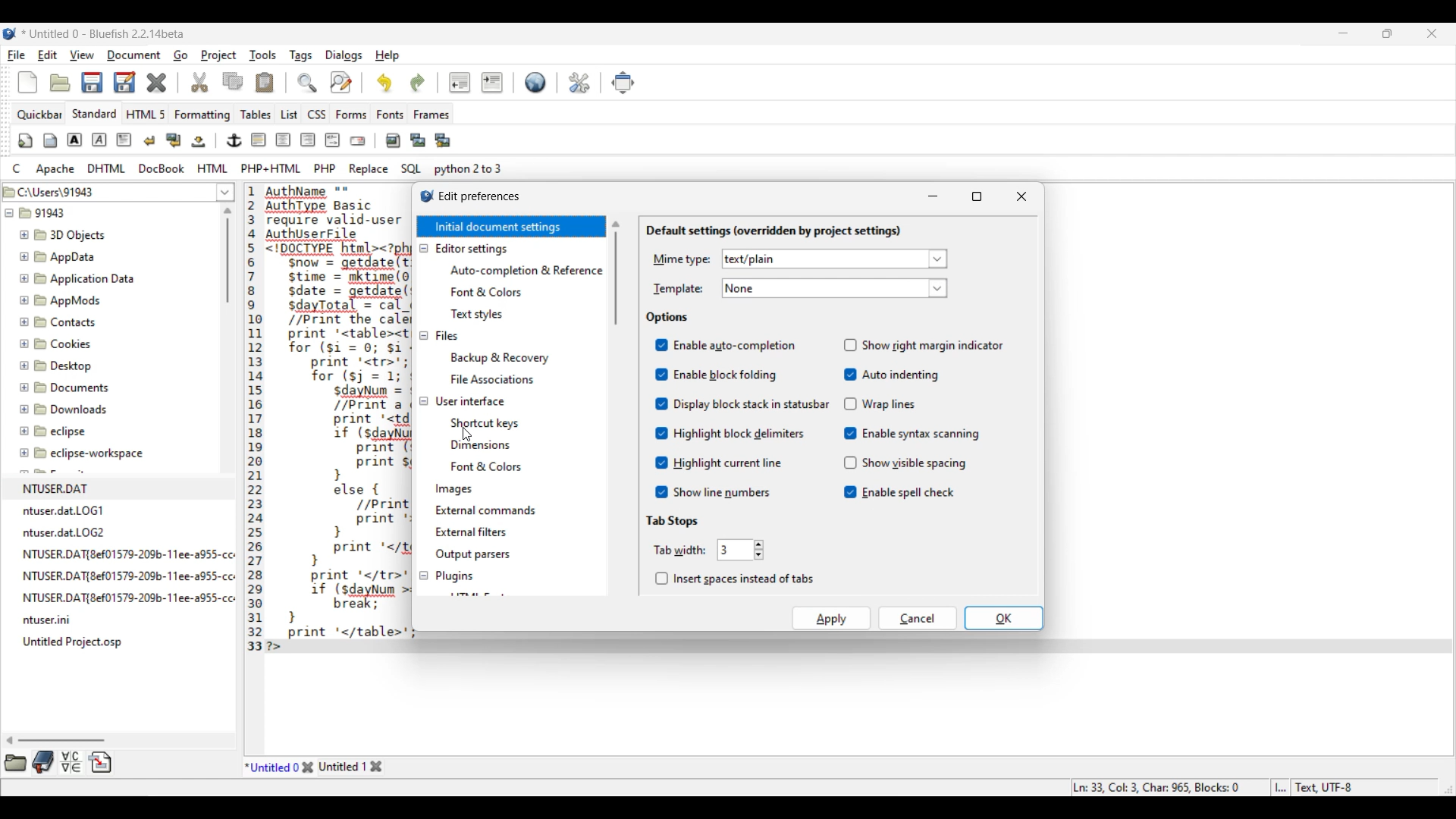 The height and width of the screenshot is (819, 1456). What do you see at coordinates (388, 55) in the screenshot?
I see `Help menu` at bounding box center [388, 55].